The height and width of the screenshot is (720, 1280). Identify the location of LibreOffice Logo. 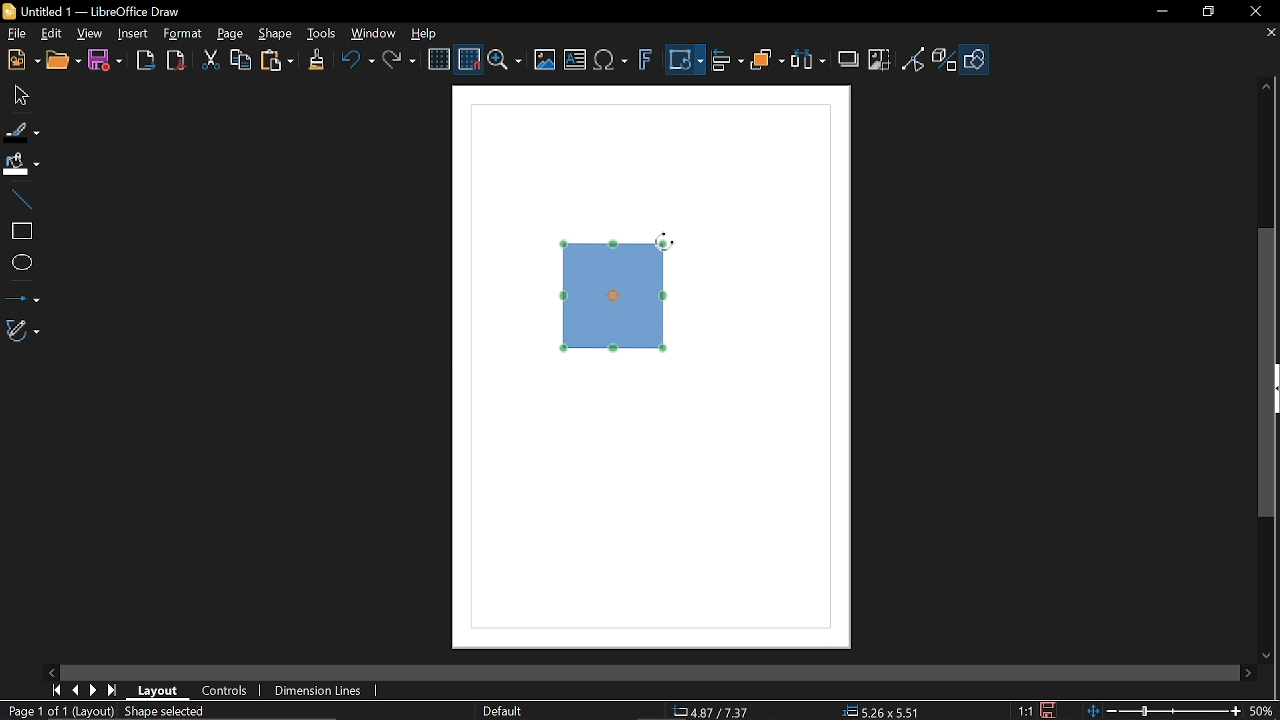
(9, 12).